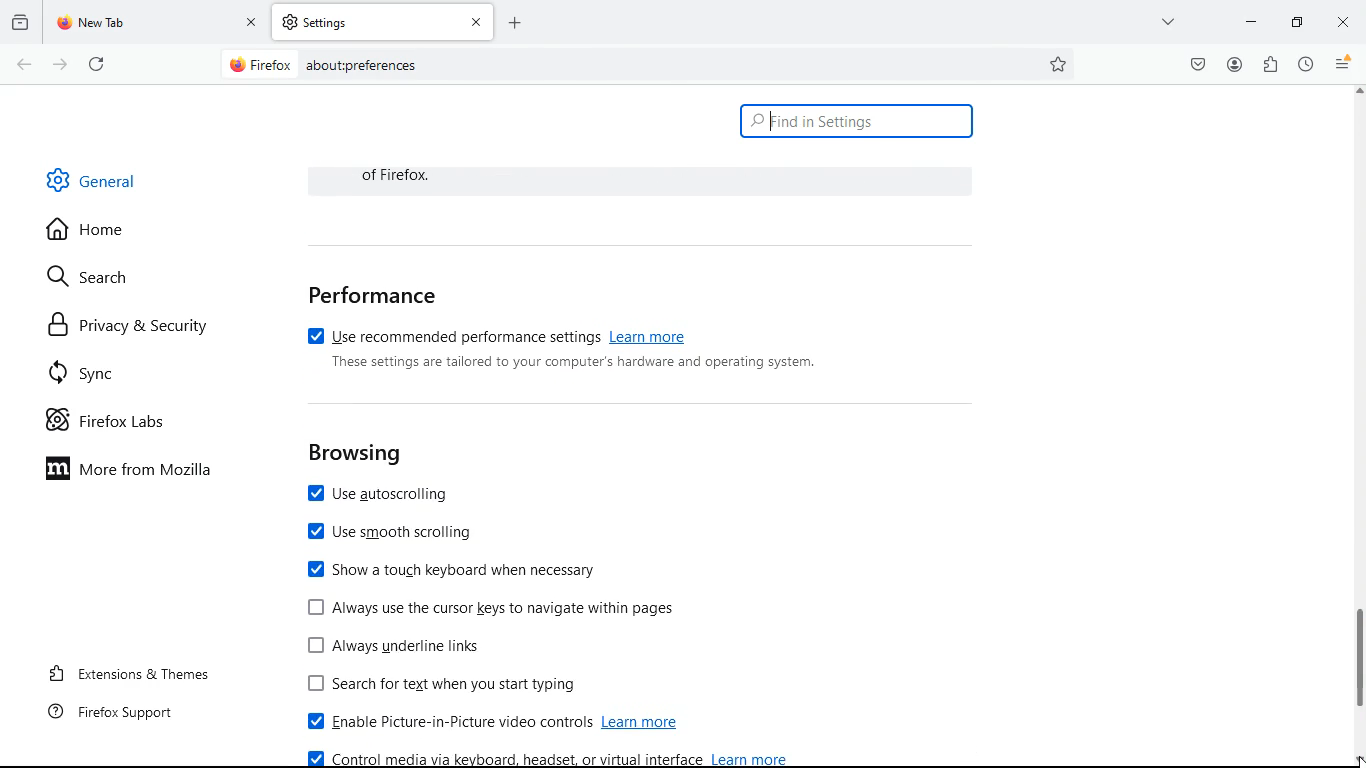 This screenshot has height=768, width=1366. I want to click on extensions, so click(1269, 66).